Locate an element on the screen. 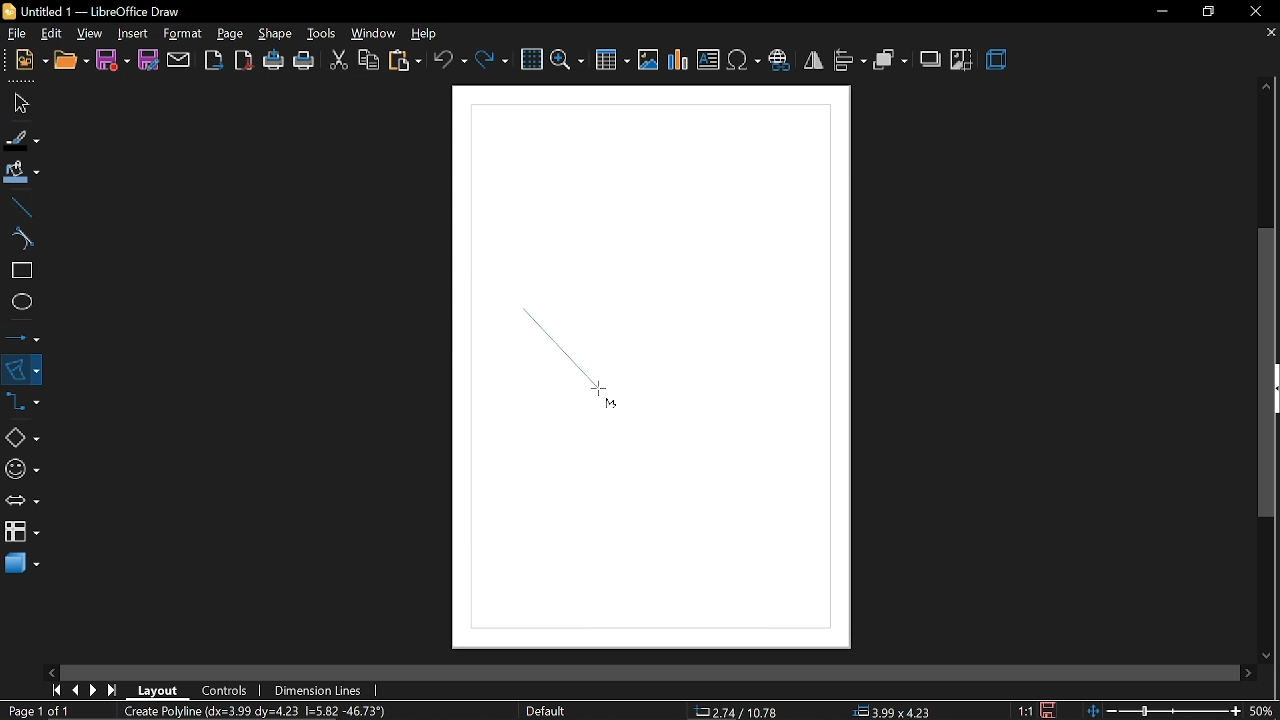  select is located at coordinates (18, 103).